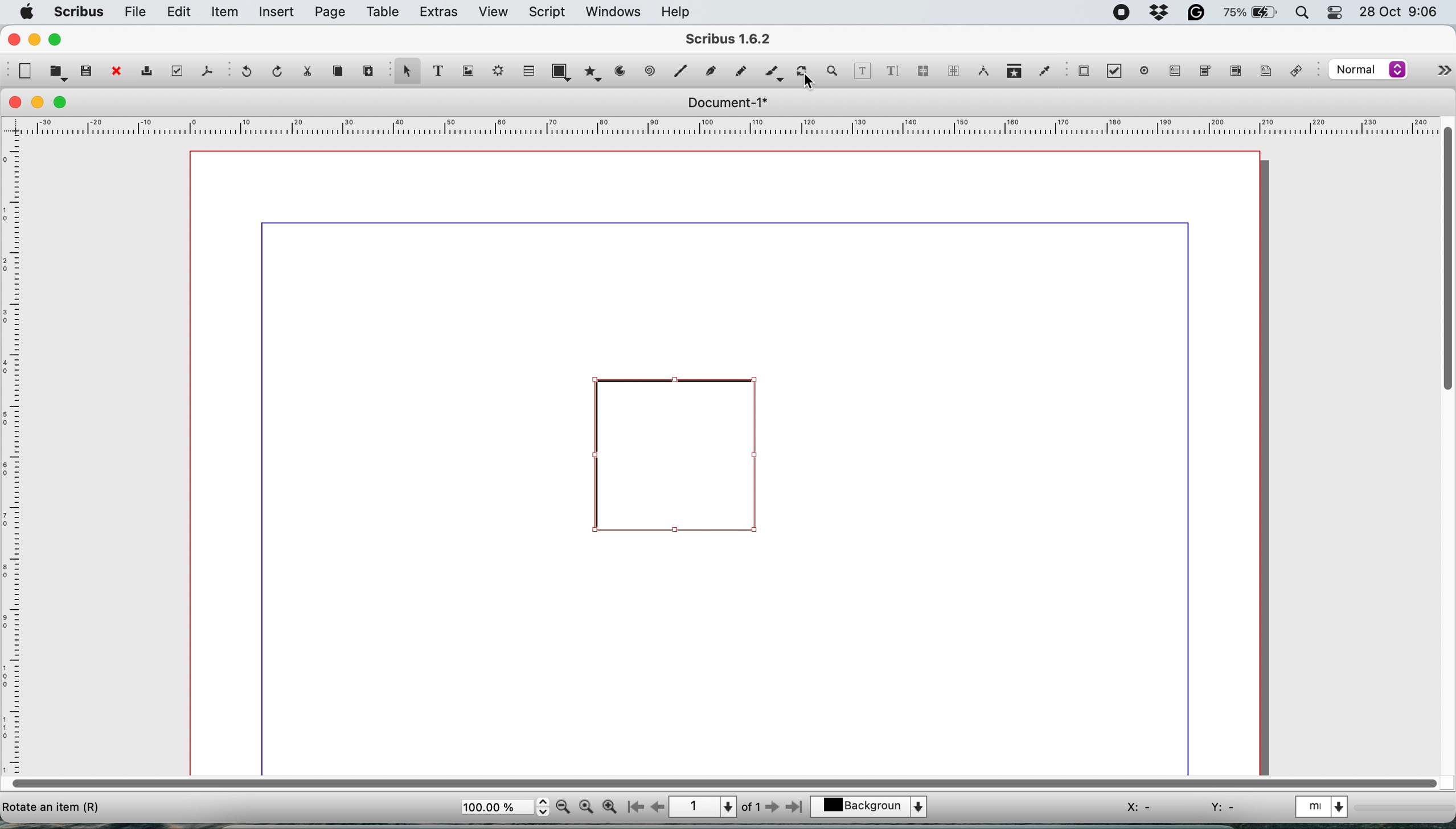 This screenshot has height=829, width=1456. What do you see at coordinates (925, 71) in the screenshot?
I see `link text frame` at bounding box center [925, 71].